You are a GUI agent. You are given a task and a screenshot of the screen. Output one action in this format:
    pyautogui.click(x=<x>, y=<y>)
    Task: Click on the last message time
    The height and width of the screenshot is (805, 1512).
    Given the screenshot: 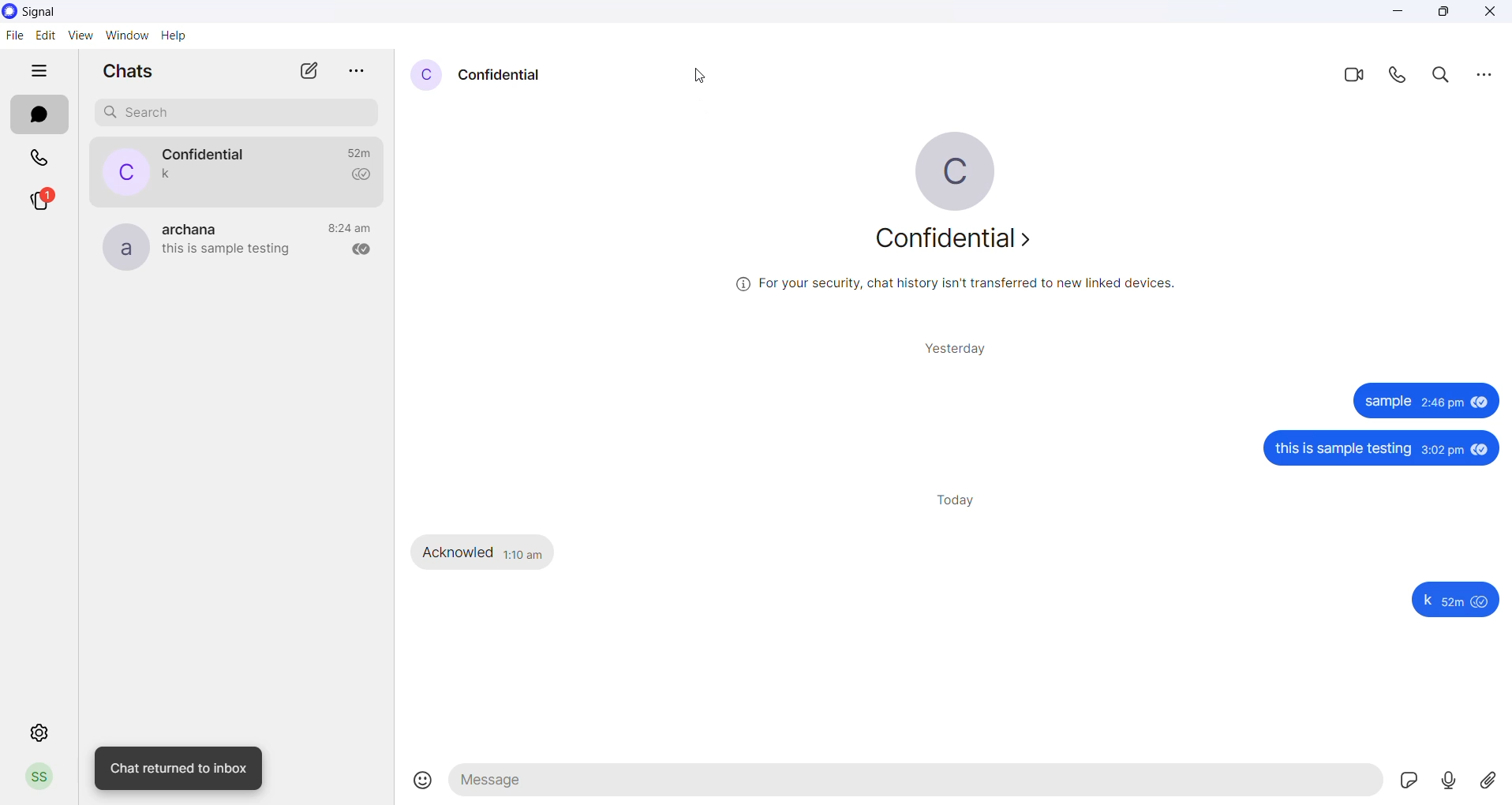 What is the action you would take?
    pyautogui.click(x=353, y=228)
    